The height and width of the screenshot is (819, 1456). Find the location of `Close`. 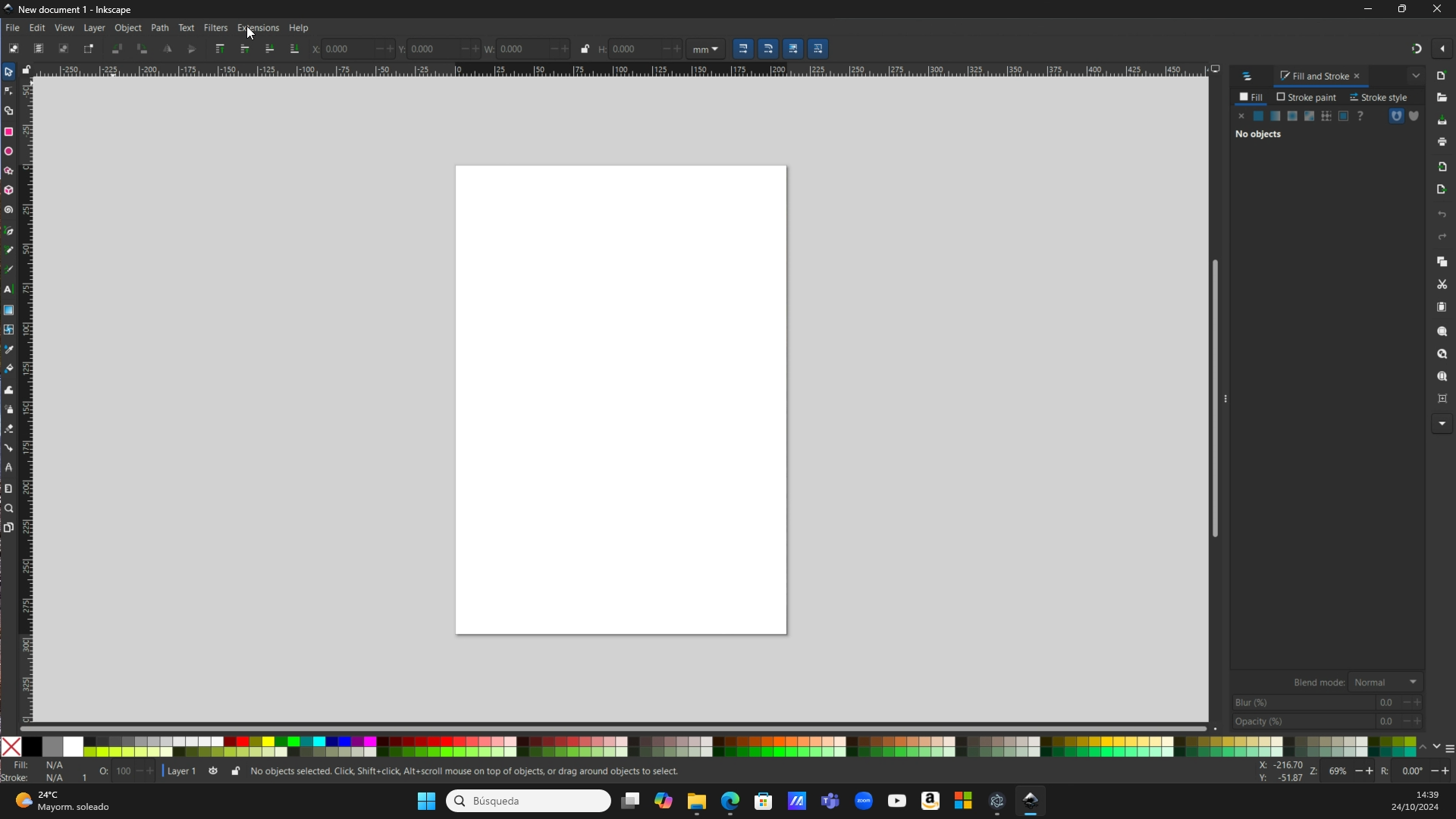

Close is located at coordinates (1439, 10).